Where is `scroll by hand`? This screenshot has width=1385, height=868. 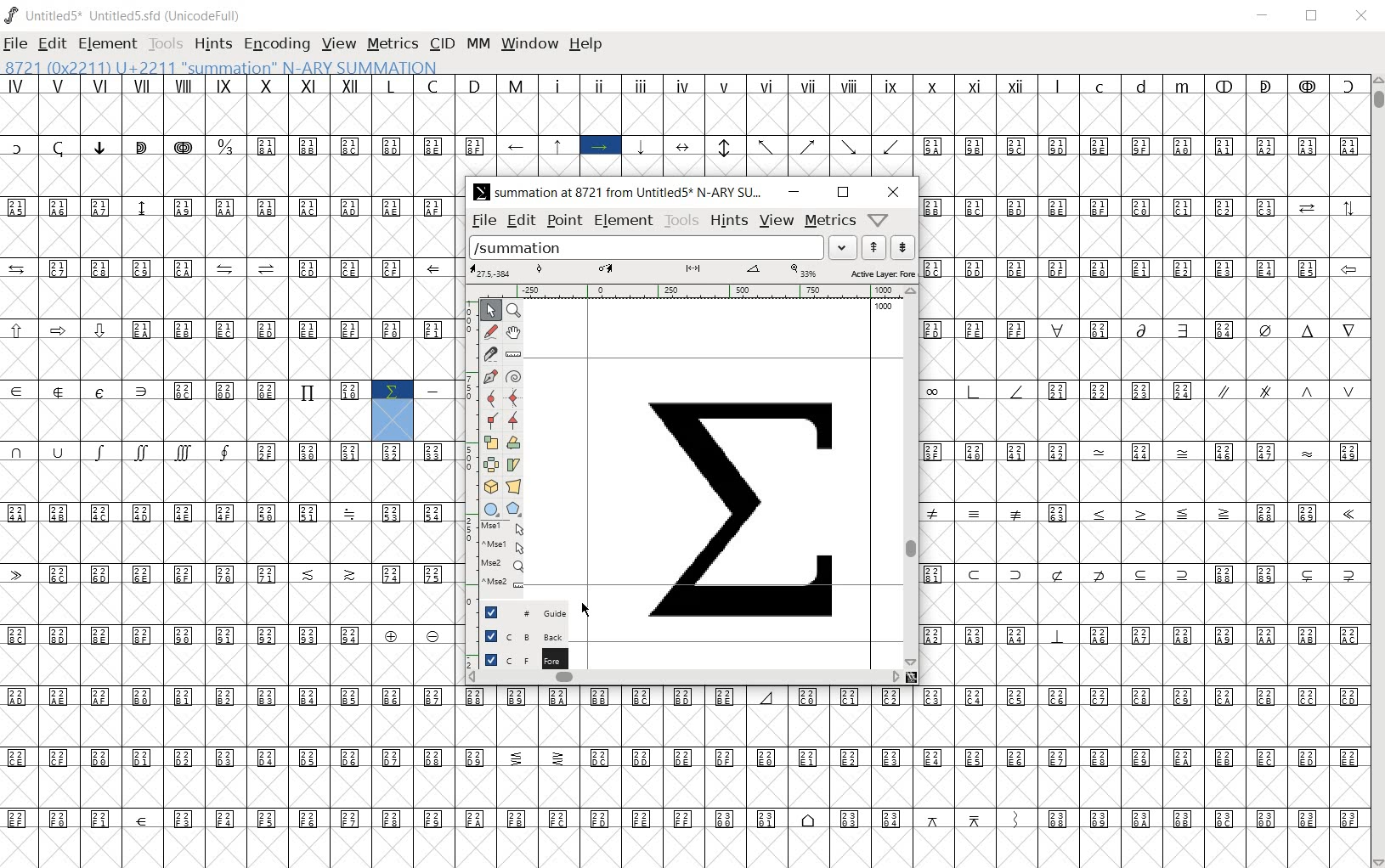
scroll by hand is located at coordinates (514, 332).